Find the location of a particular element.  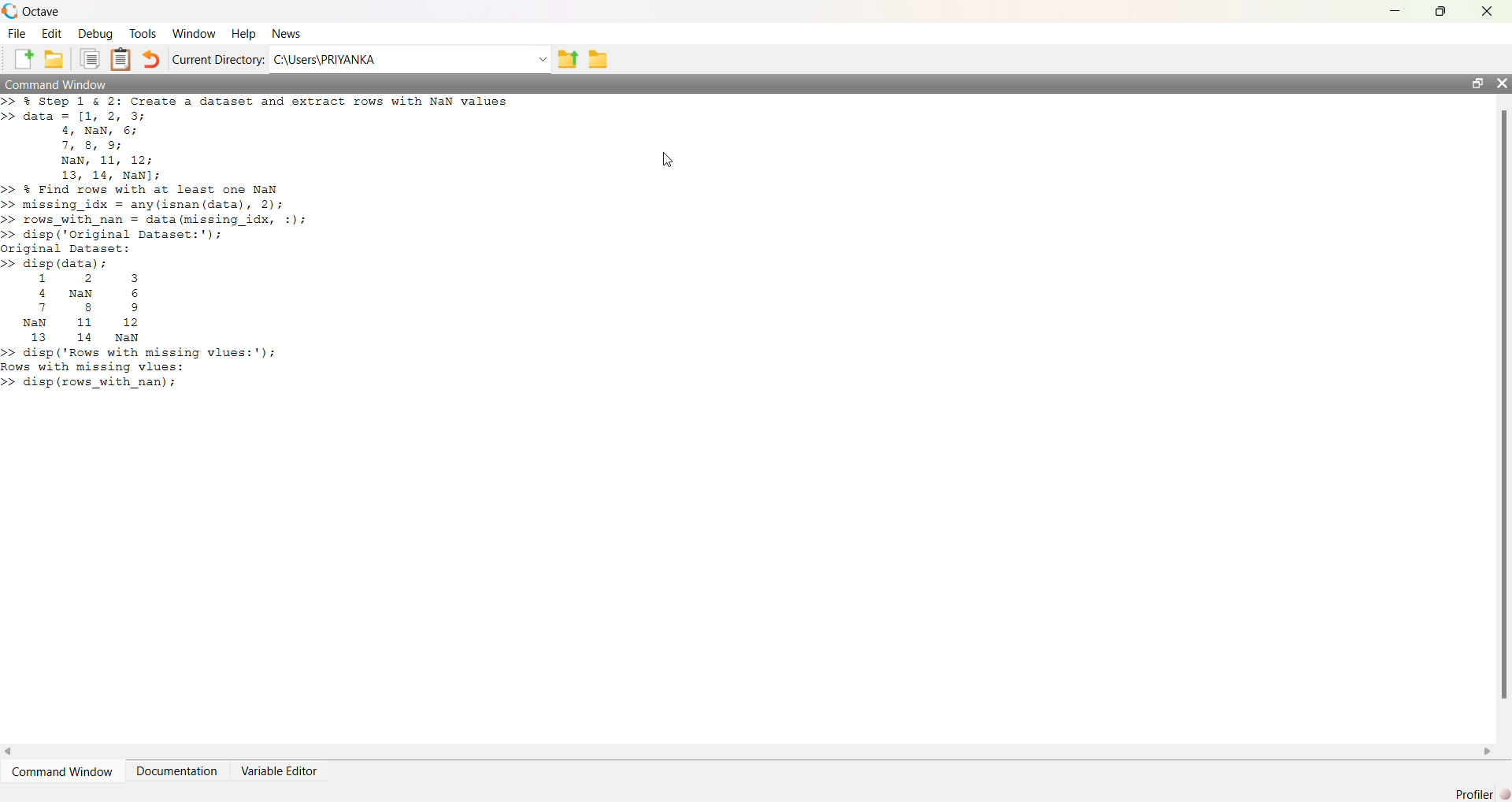

C:\Users\PRIYANKA is located at coordinates (324, 59).